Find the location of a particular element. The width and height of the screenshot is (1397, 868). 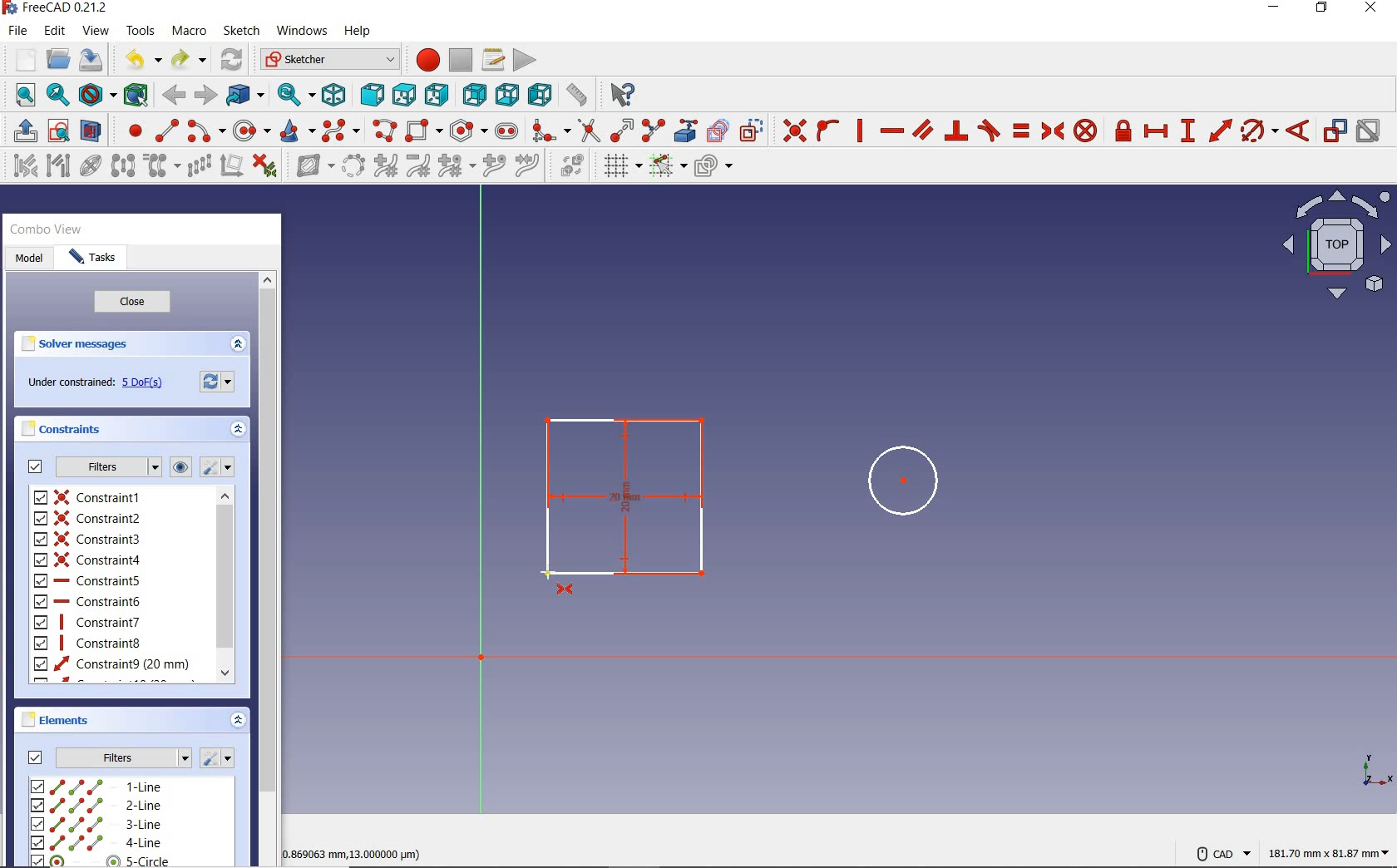

1-line is located at coordinates (97, 783).